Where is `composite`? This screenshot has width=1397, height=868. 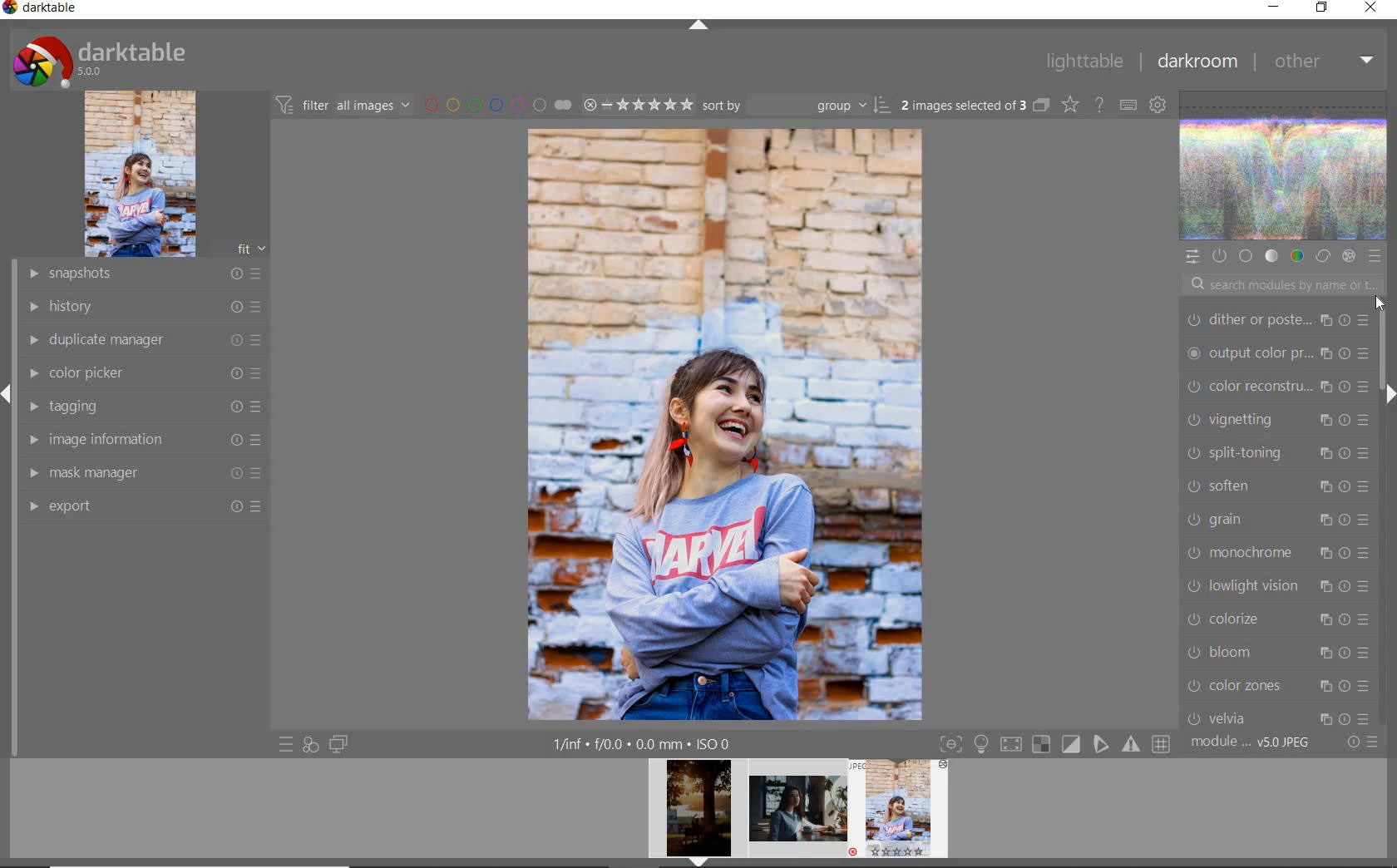 composite is located at coordinates (1277, 515).